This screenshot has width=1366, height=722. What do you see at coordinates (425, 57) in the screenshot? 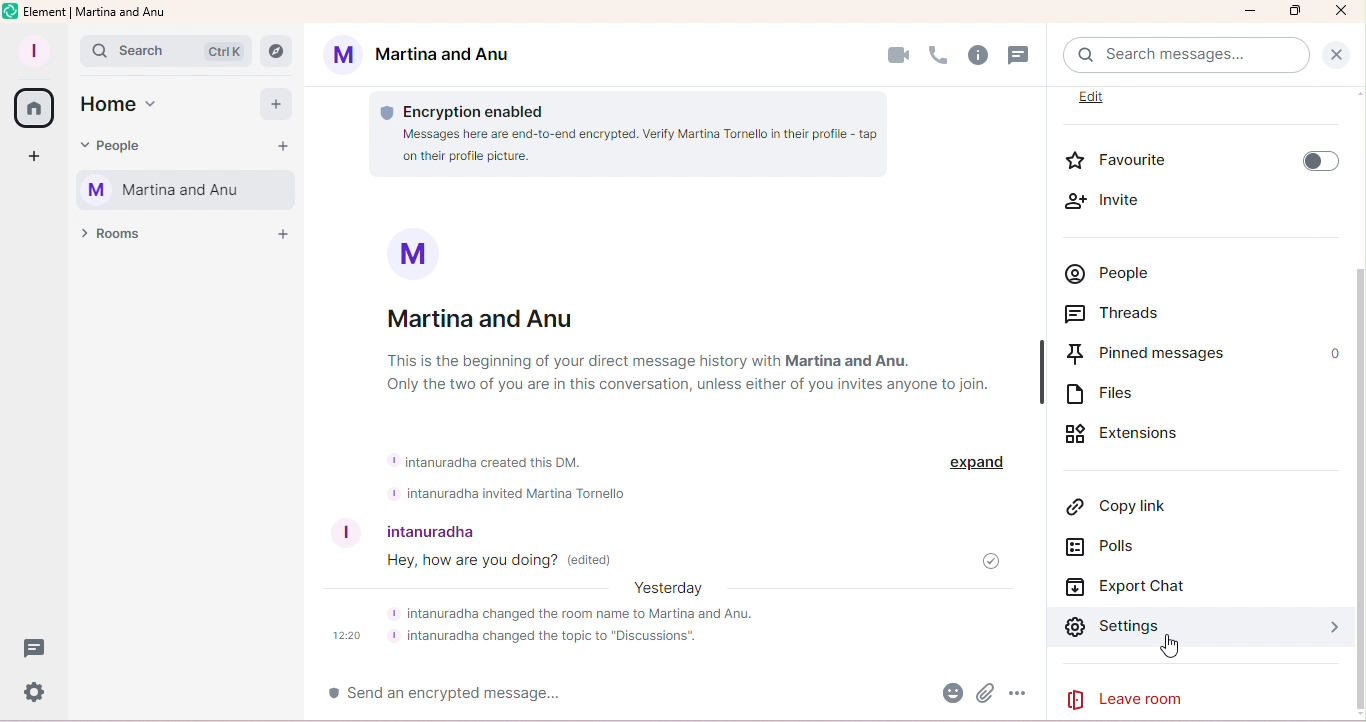
I see `Martina and Anu` at bounding box center [425, 57].